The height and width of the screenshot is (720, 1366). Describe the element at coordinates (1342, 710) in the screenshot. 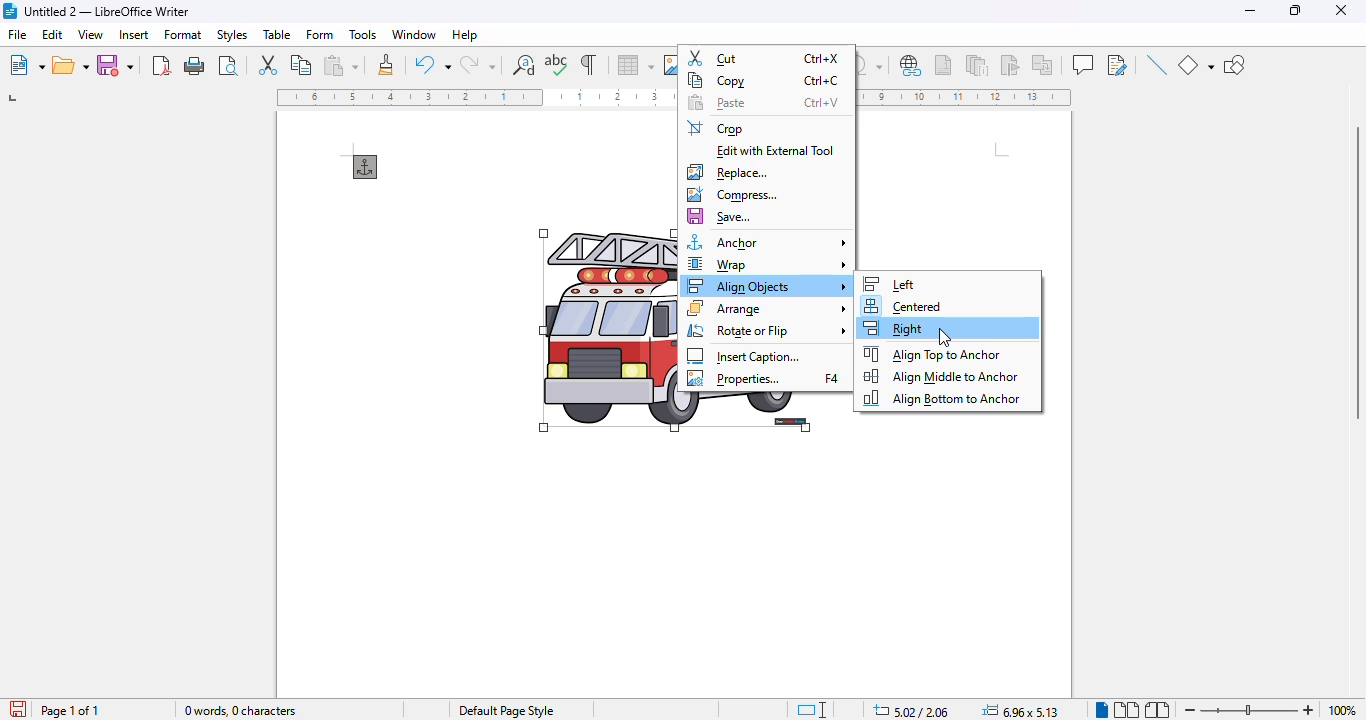

I see `zoom factor` at that location.